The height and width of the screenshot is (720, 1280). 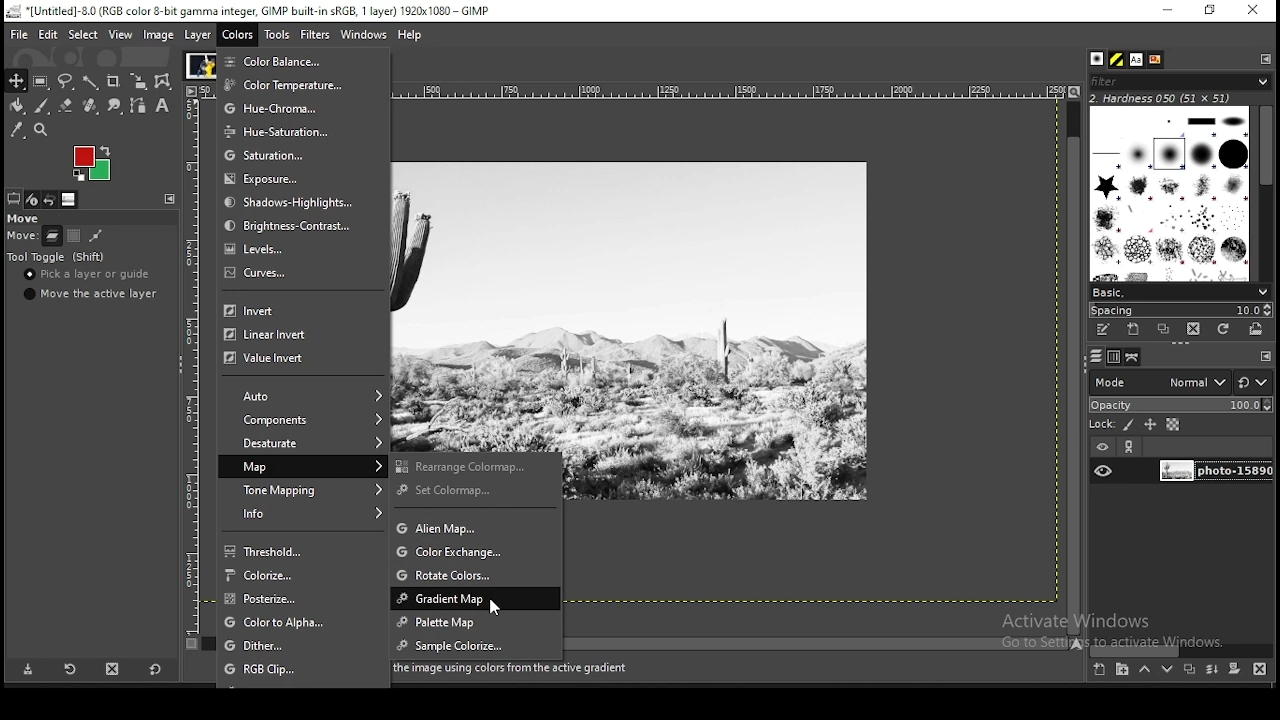 I want to click on move layer one step down, so click(x=1167, y=669).